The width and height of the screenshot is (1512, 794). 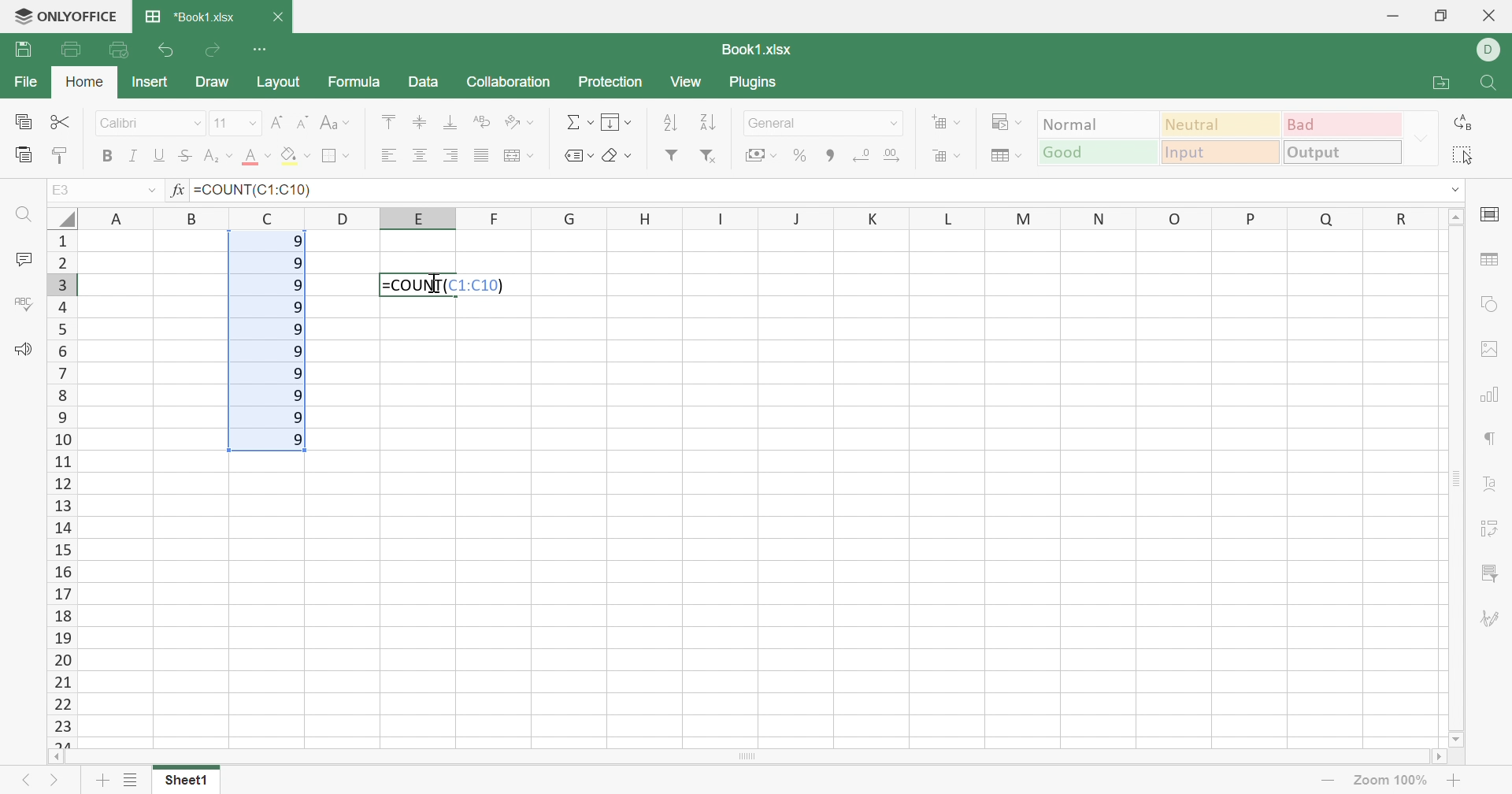 What do you see at coordinates (299, 440) in the screenshot?
I see `9` at bounding box center [299, 440].